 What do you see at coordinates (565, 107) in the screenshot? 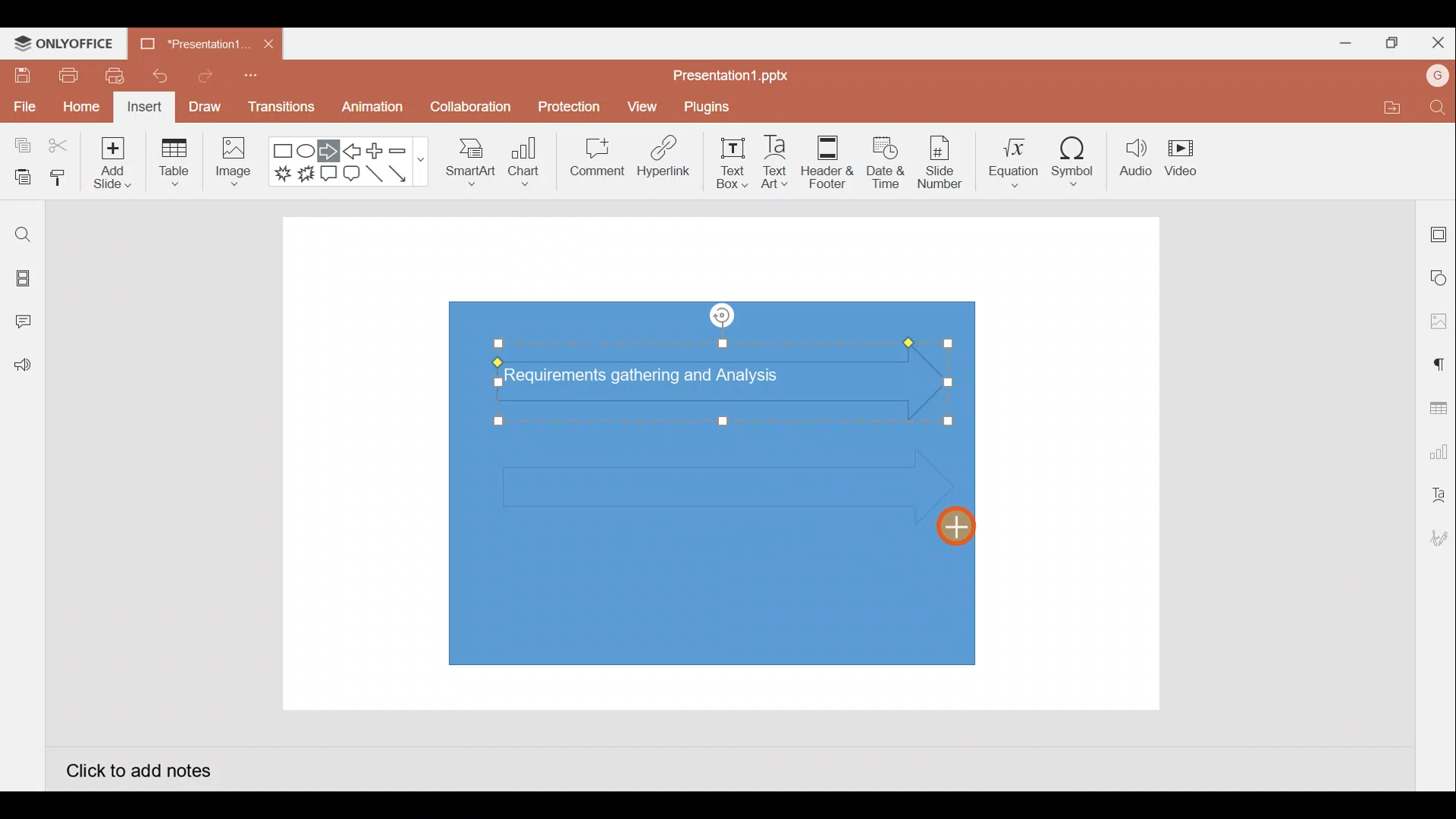
I see `Protection` at bounding box center [565, 107].